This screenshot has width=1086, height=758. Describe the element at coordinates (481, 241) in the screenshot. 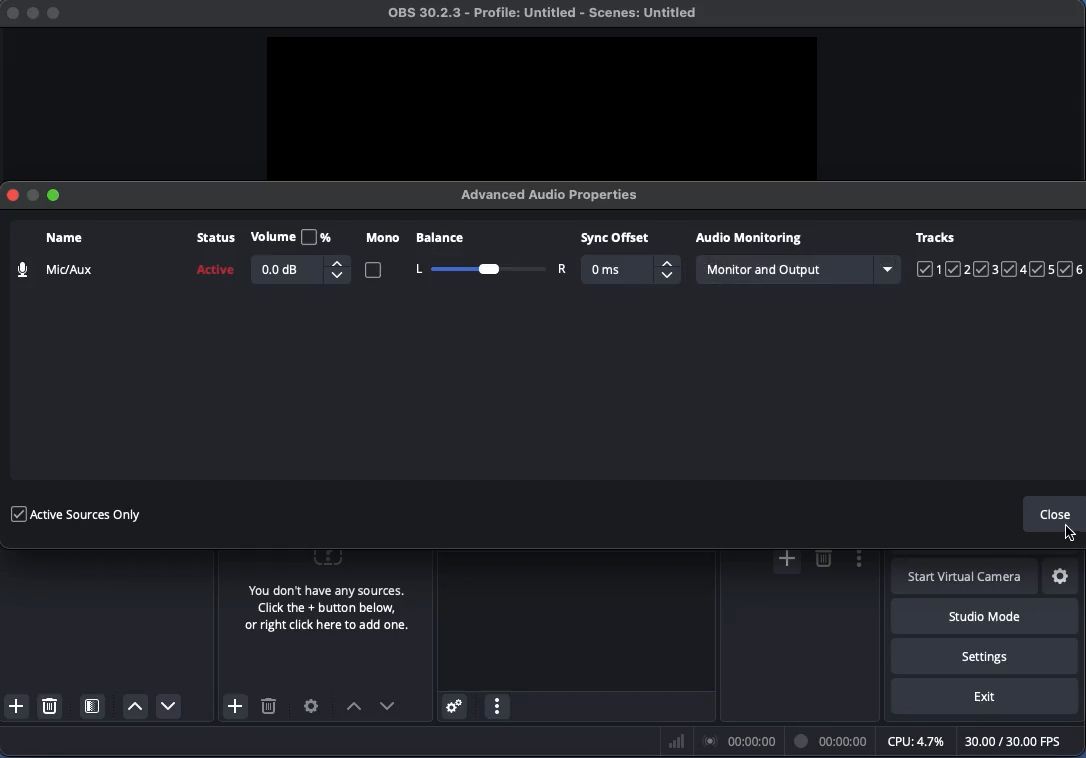

I see `Balance` at that location.